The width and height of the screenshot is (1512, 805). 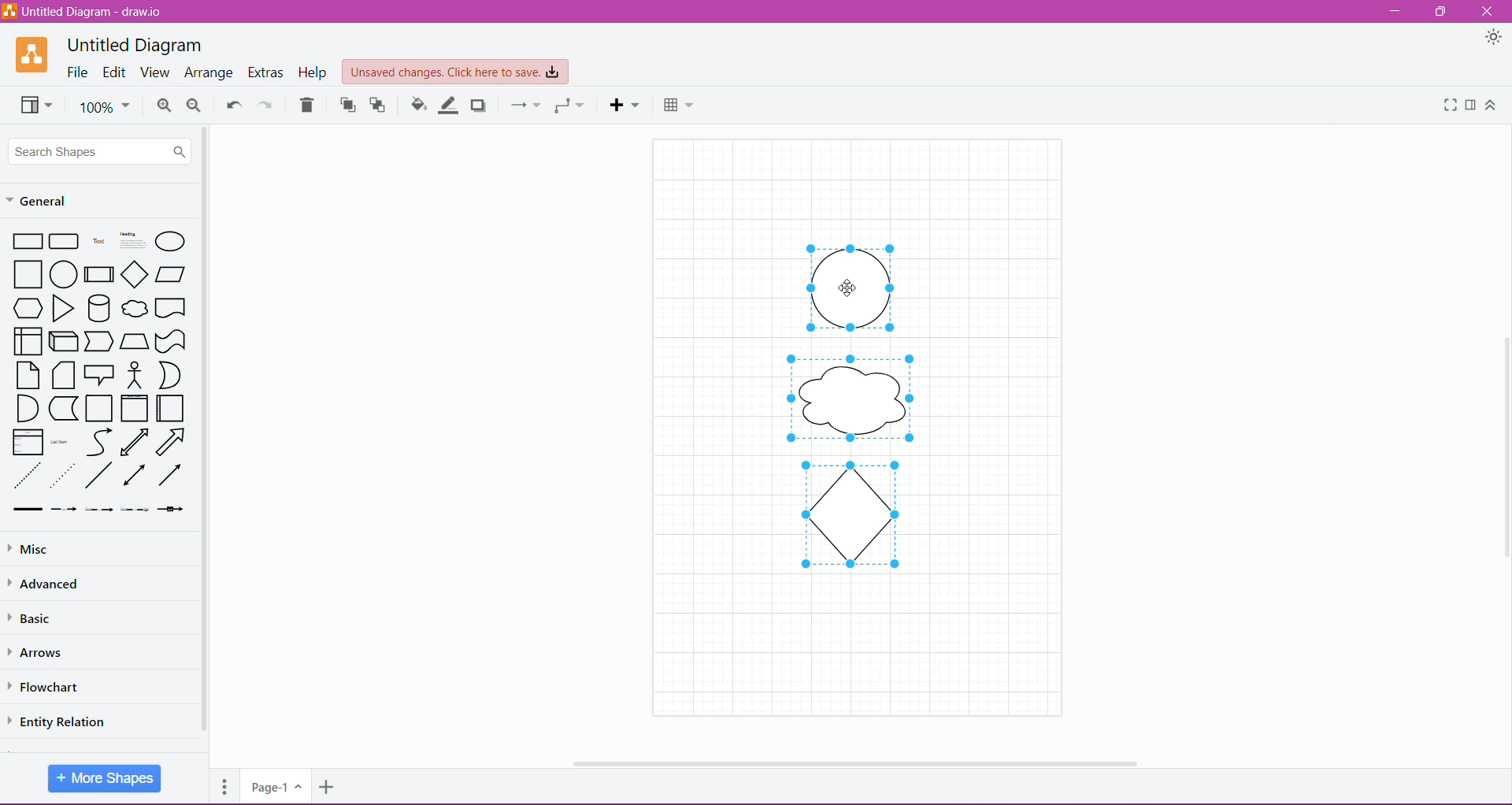 I want to click on Arrows, so click(x=41, y=651).